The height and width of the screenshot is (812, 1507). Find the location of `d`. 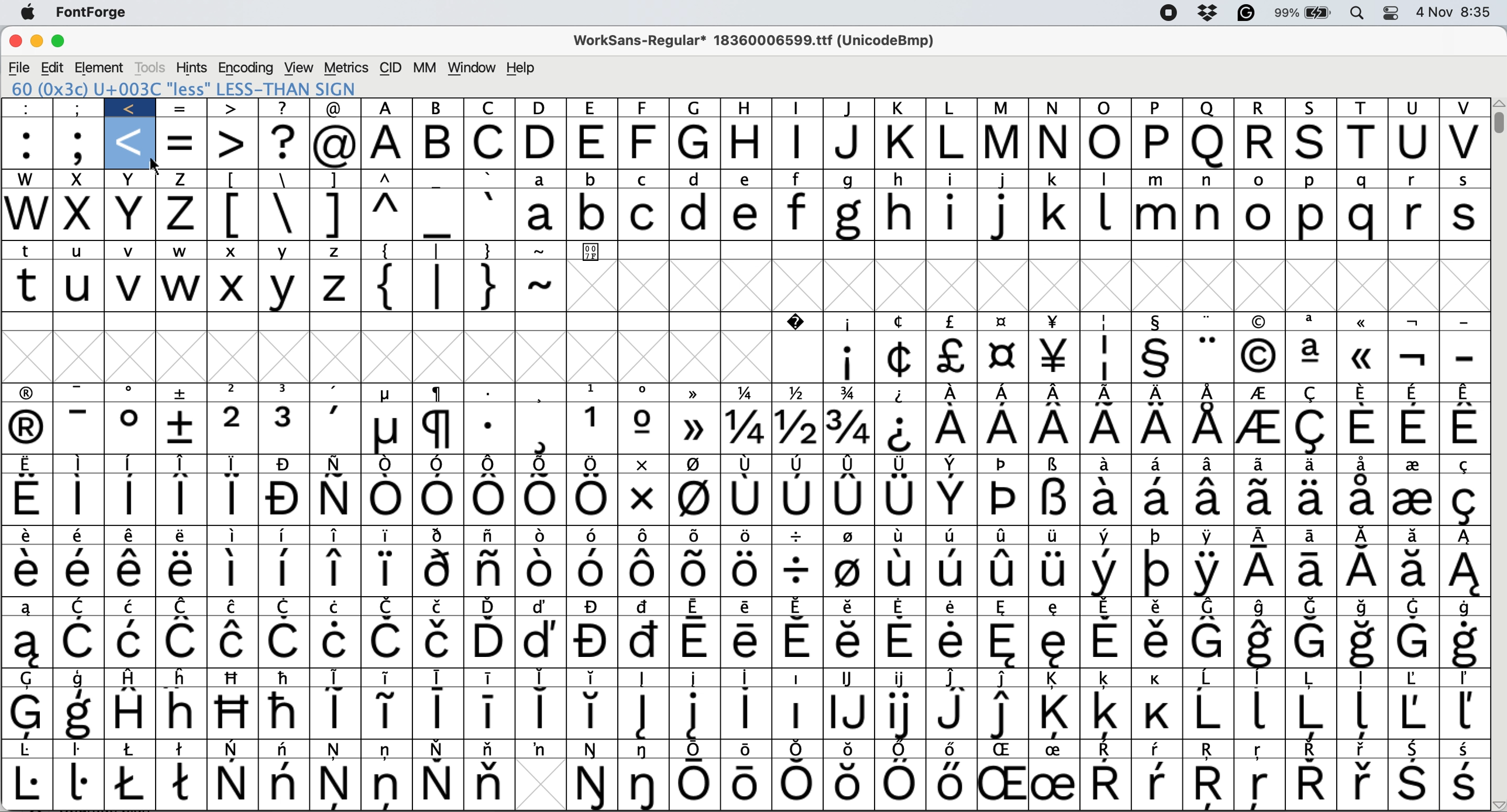

d is located at coordinates (694, 215).